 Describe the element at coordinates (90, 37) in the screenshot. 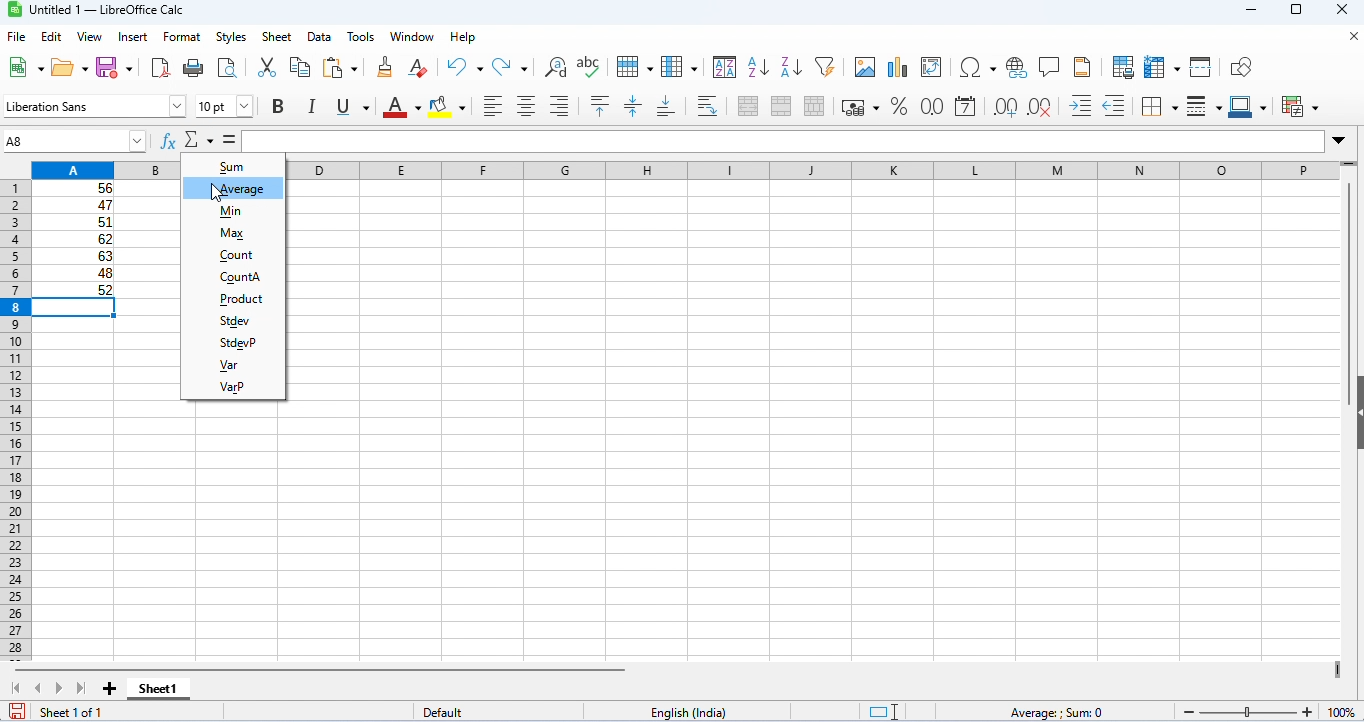

I see `view` at that location.